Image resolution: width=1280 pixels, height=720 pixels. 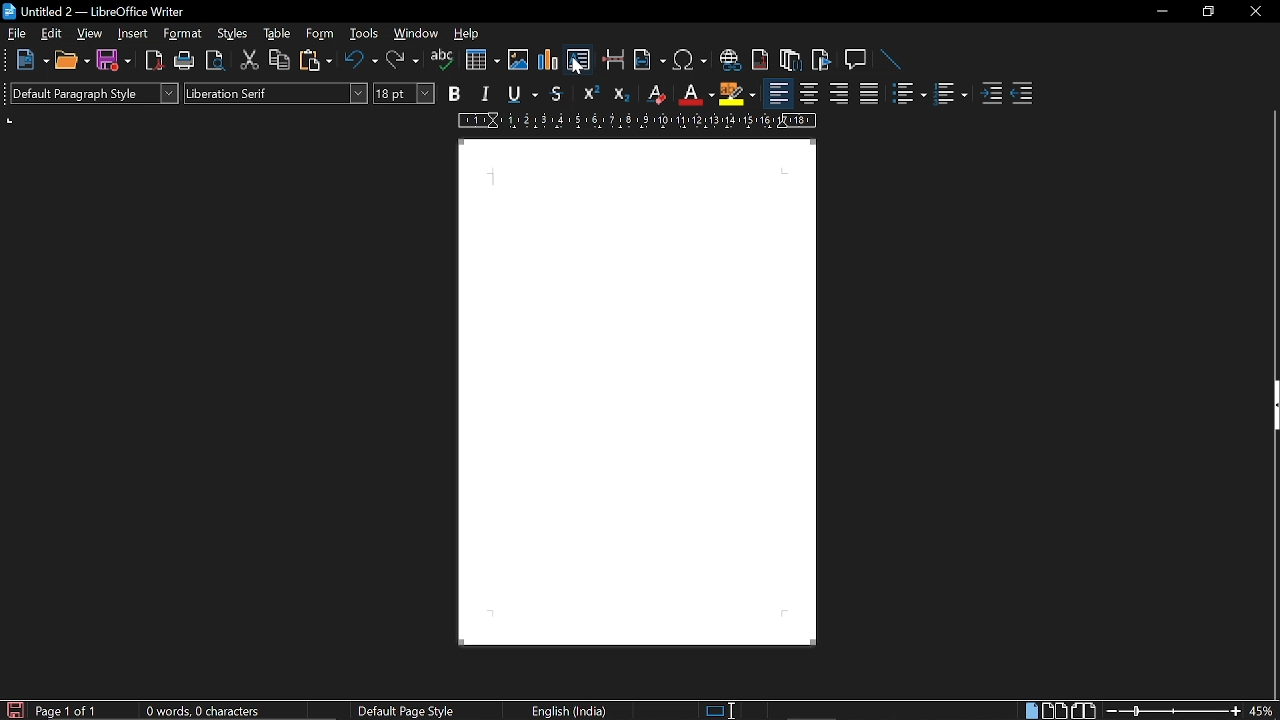 What do you see at coordinates (1054, 711) in the screenshot?
I see `multiple page view` at bounding box center [1054, 711].